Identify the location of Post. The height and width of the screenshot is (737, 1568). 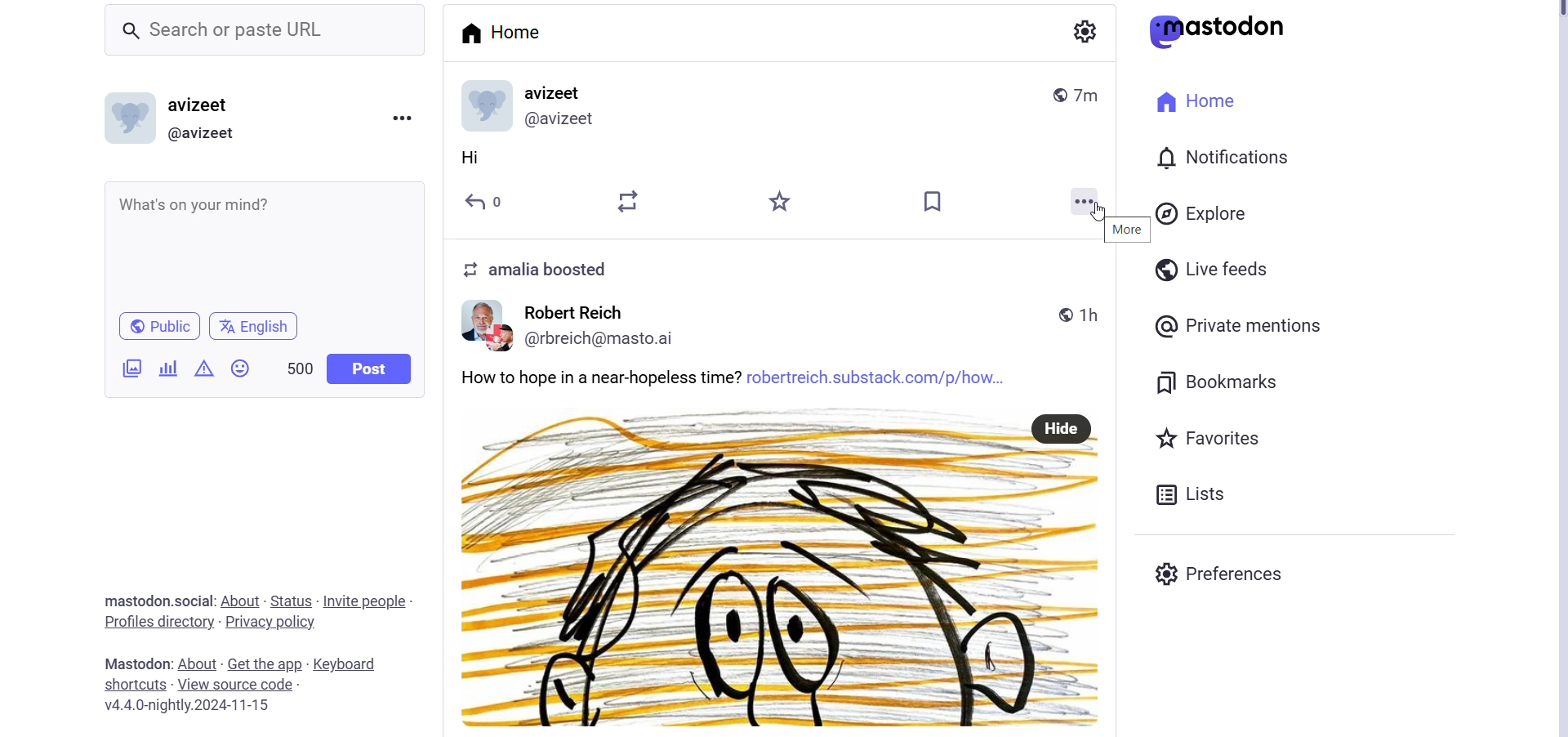
(371, 368).